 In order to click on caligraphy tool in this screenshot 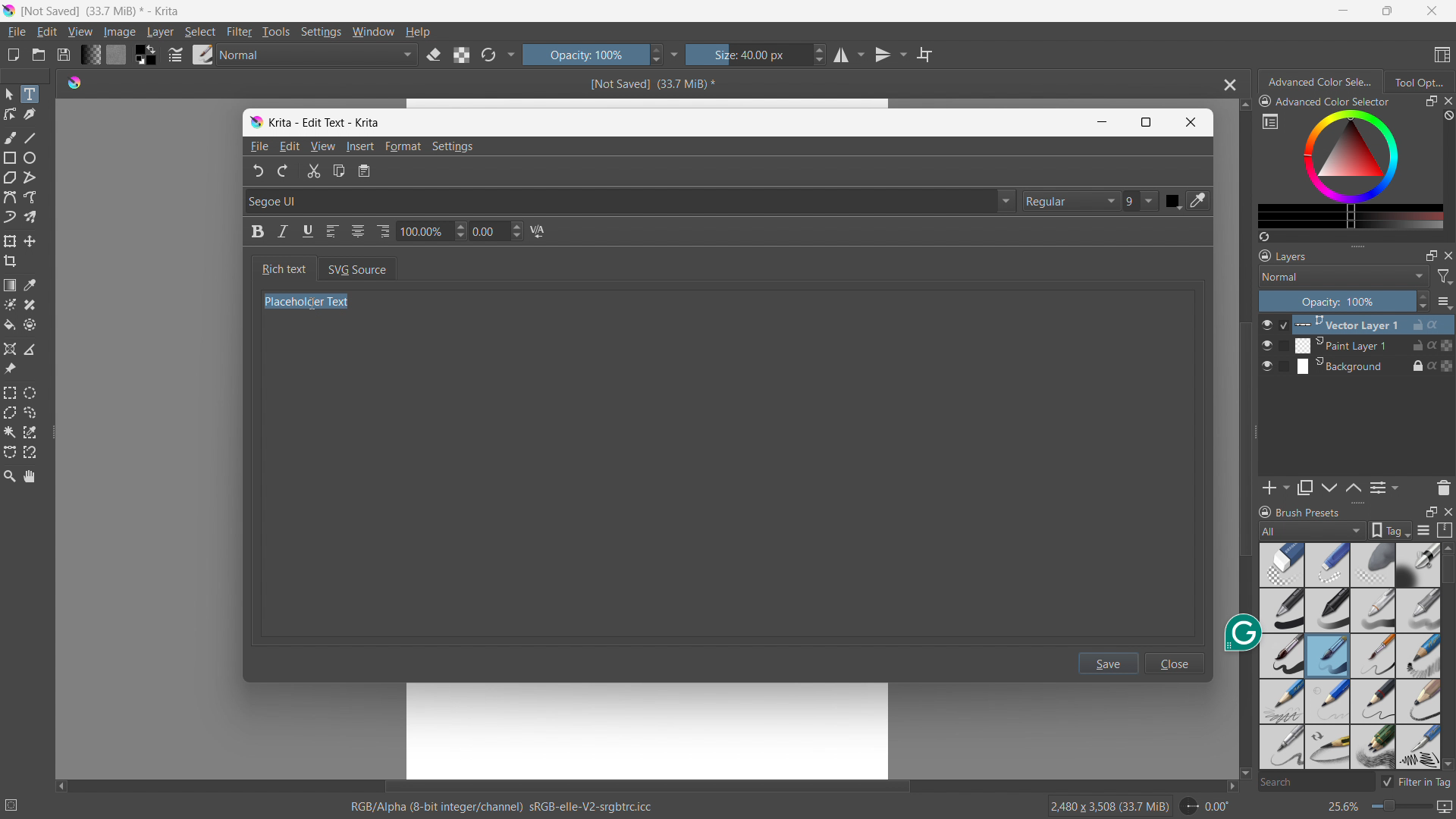, I will do `click(30, 115)`.